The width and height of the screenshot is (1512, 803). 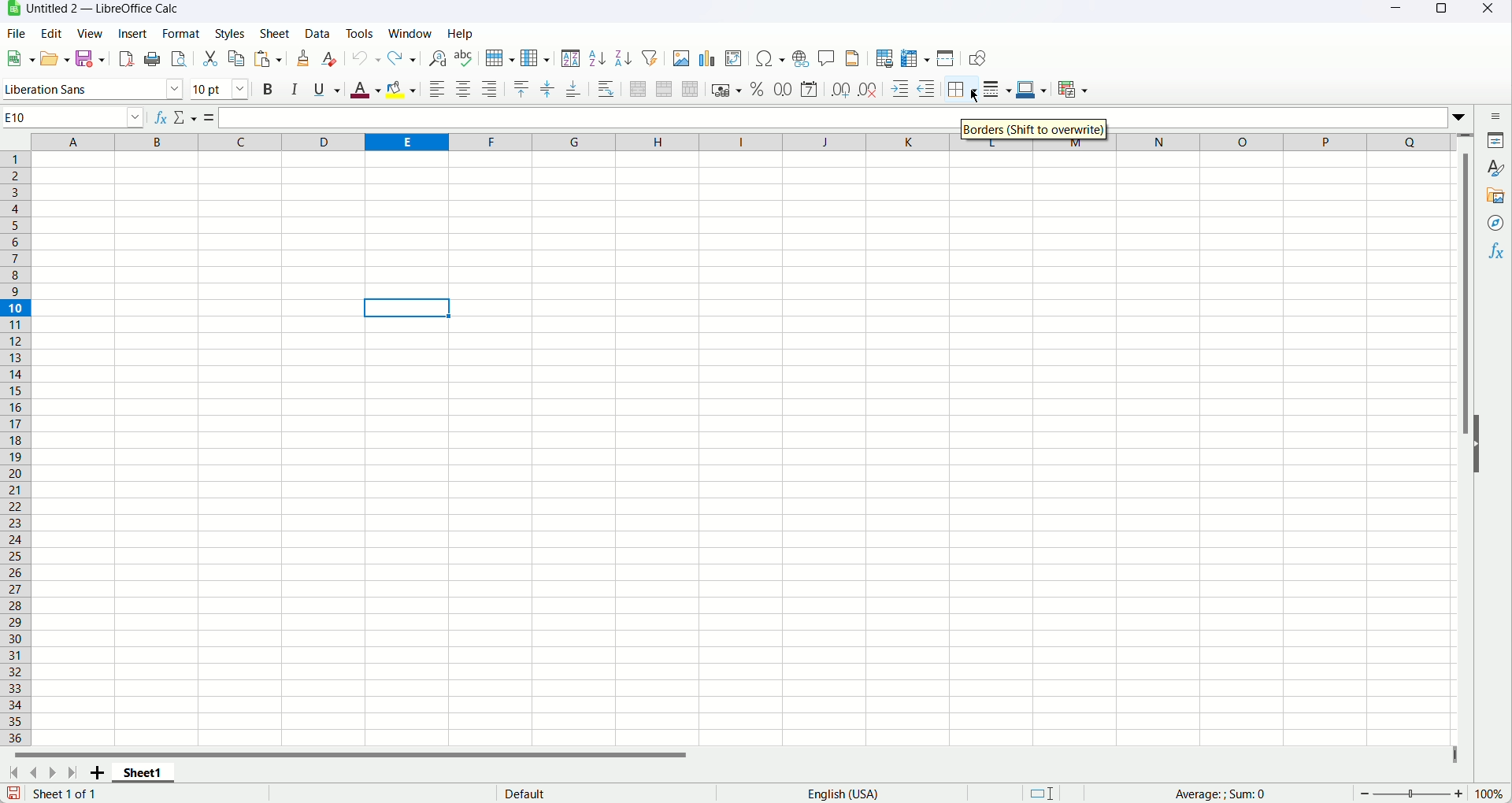 I want to click on fx, so click(x=161, y=115).